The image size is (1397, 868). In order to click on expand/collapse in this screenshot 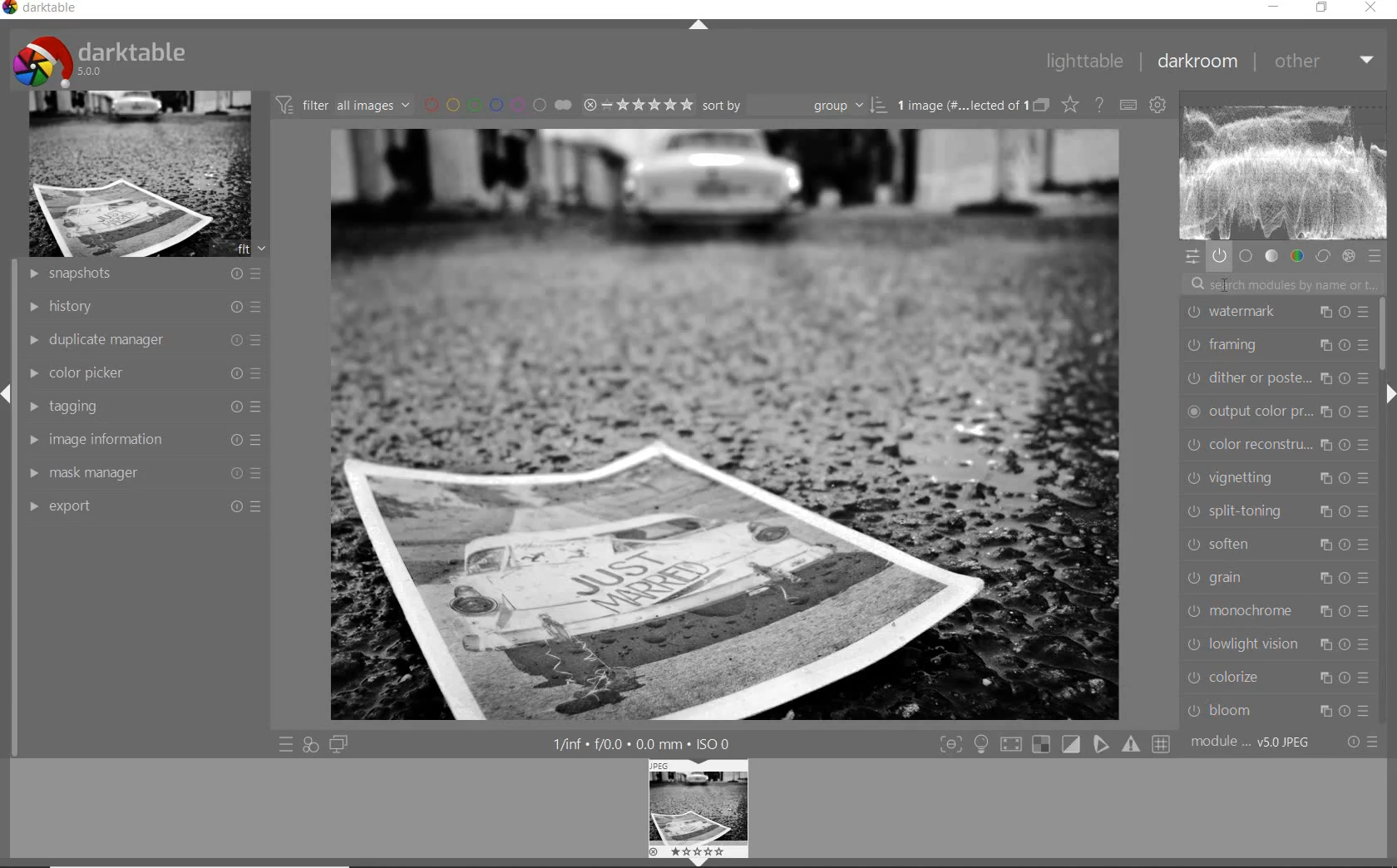, I will do `click(8, 395)`.